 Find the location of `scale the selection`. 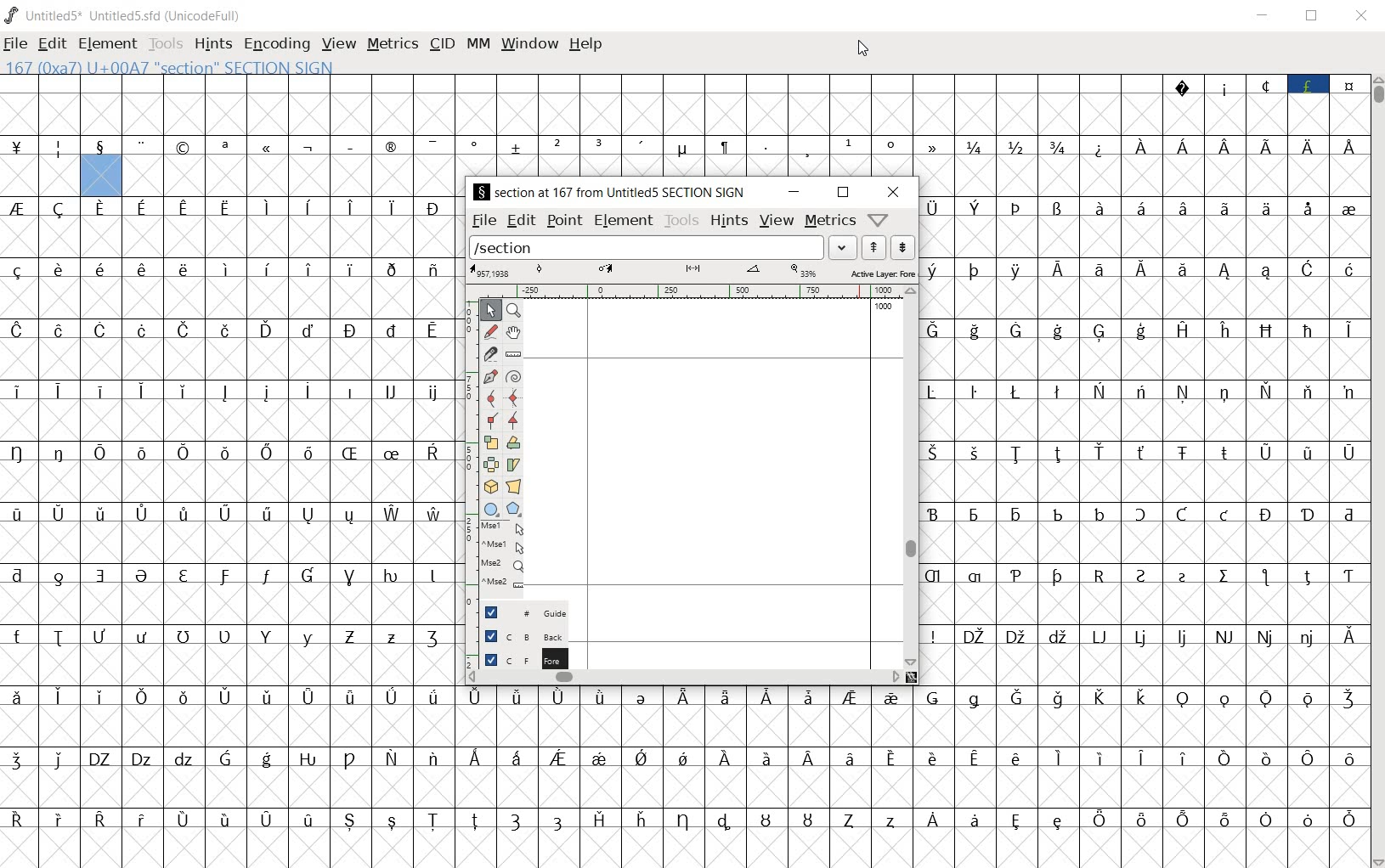

scale the selection is located at coordinates (491, 442).